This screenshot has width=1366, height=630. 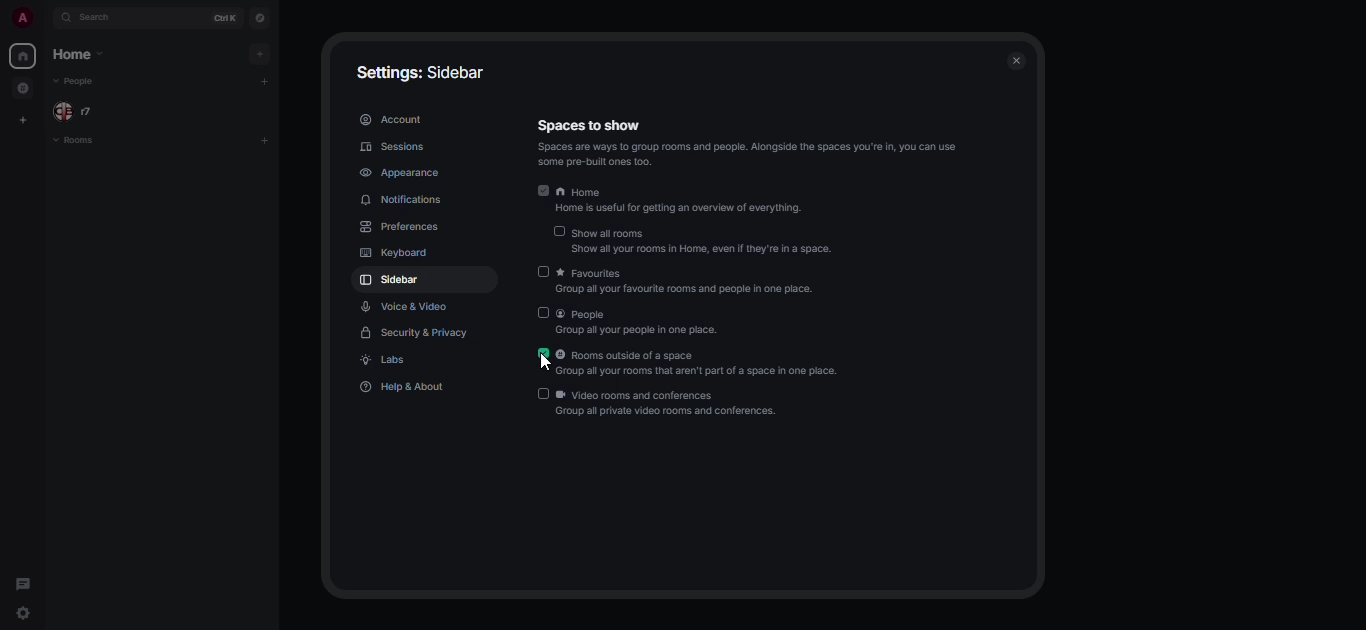 What do you see at coordinates (757, 155) in the screenshot?
I see `Spaces are ways 10 group rooms and people. Alongside the spaces you're in, you can use some pre-built ones 100.` at bounding box center [757, 155].